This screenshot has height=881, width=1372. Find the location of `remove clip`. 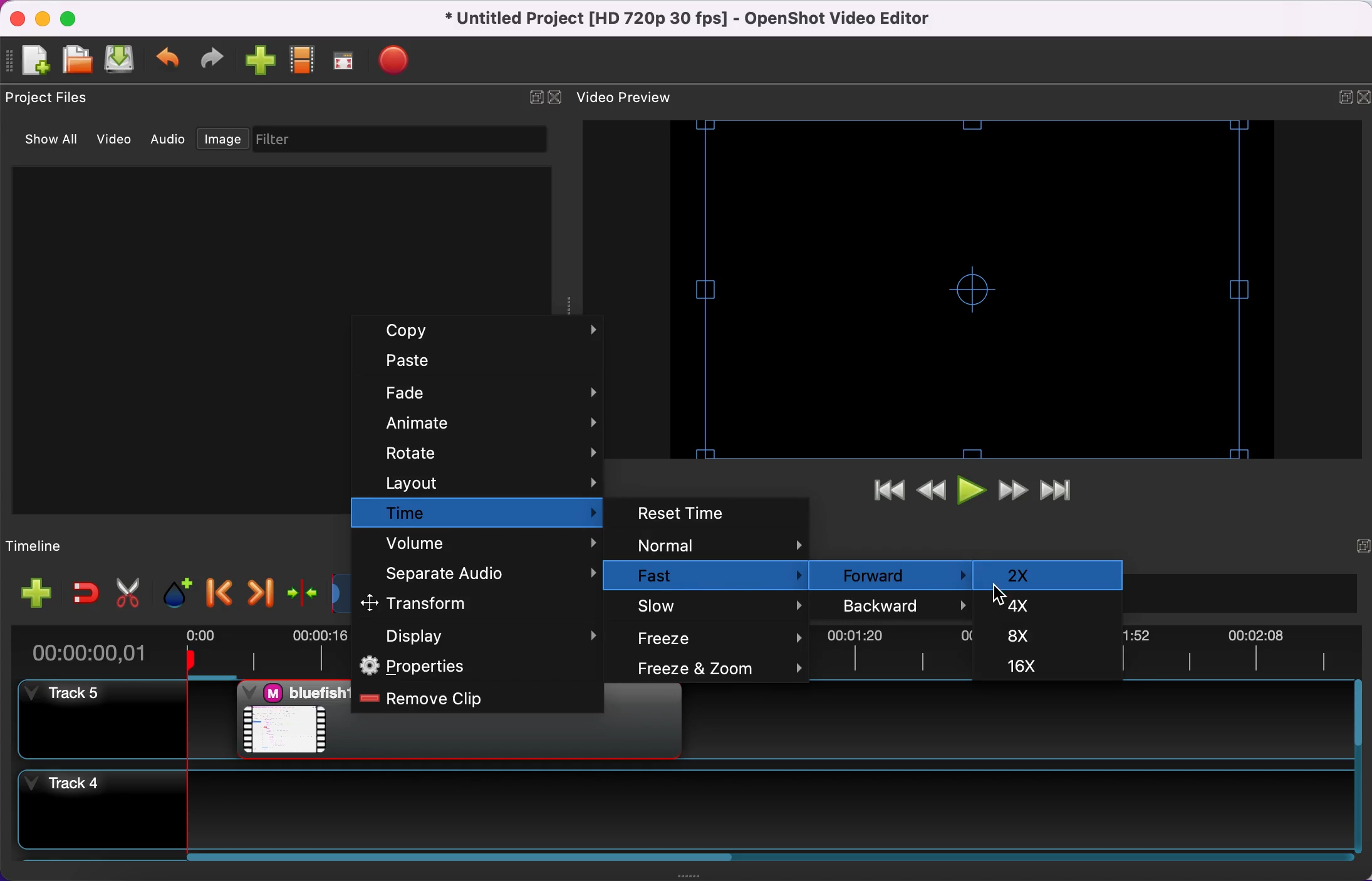

remove clip is located at coordinates (470, 699).